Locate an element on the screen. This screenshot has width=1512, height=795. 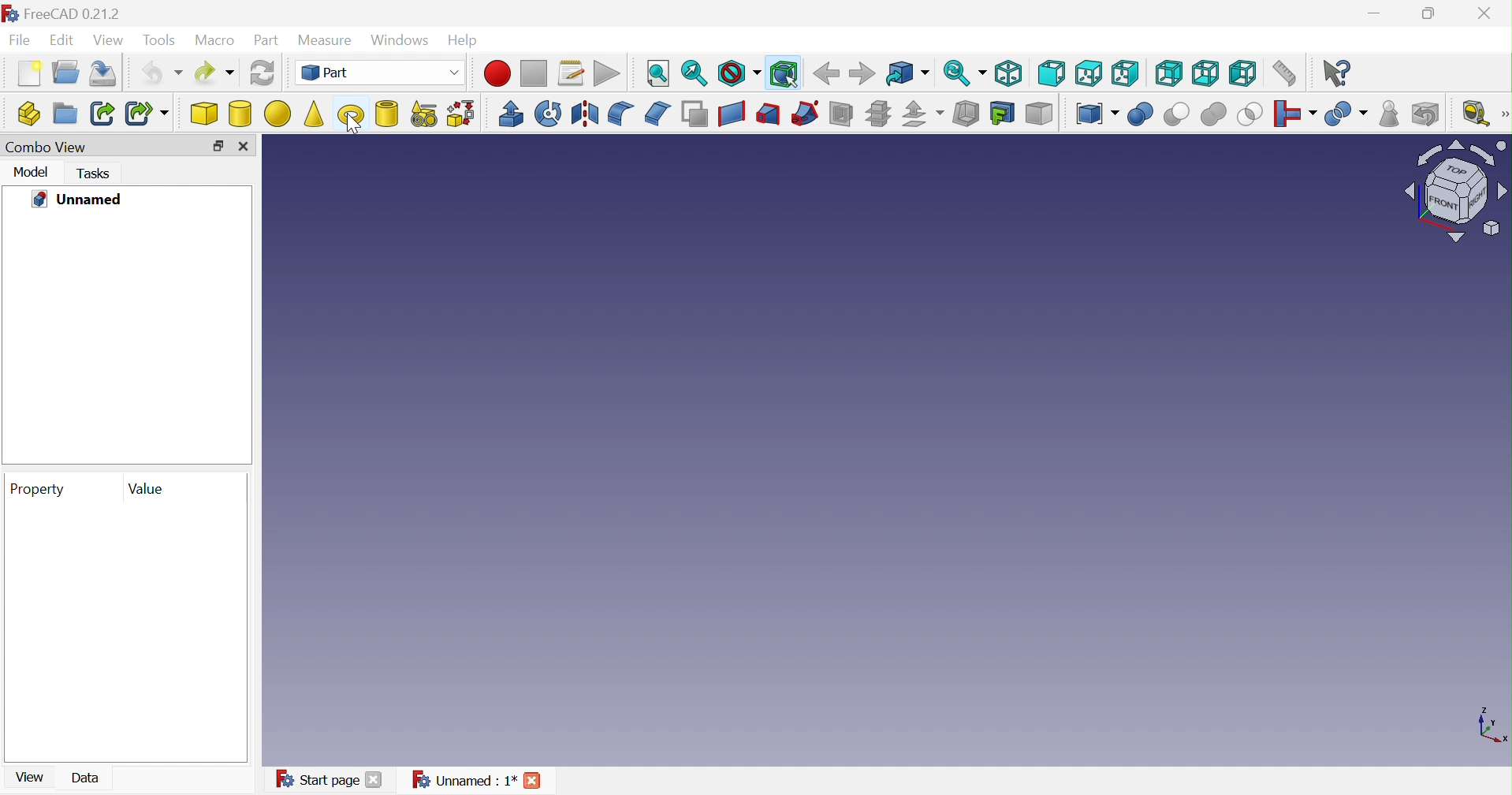
cursor is located at coordinates (352, 129).